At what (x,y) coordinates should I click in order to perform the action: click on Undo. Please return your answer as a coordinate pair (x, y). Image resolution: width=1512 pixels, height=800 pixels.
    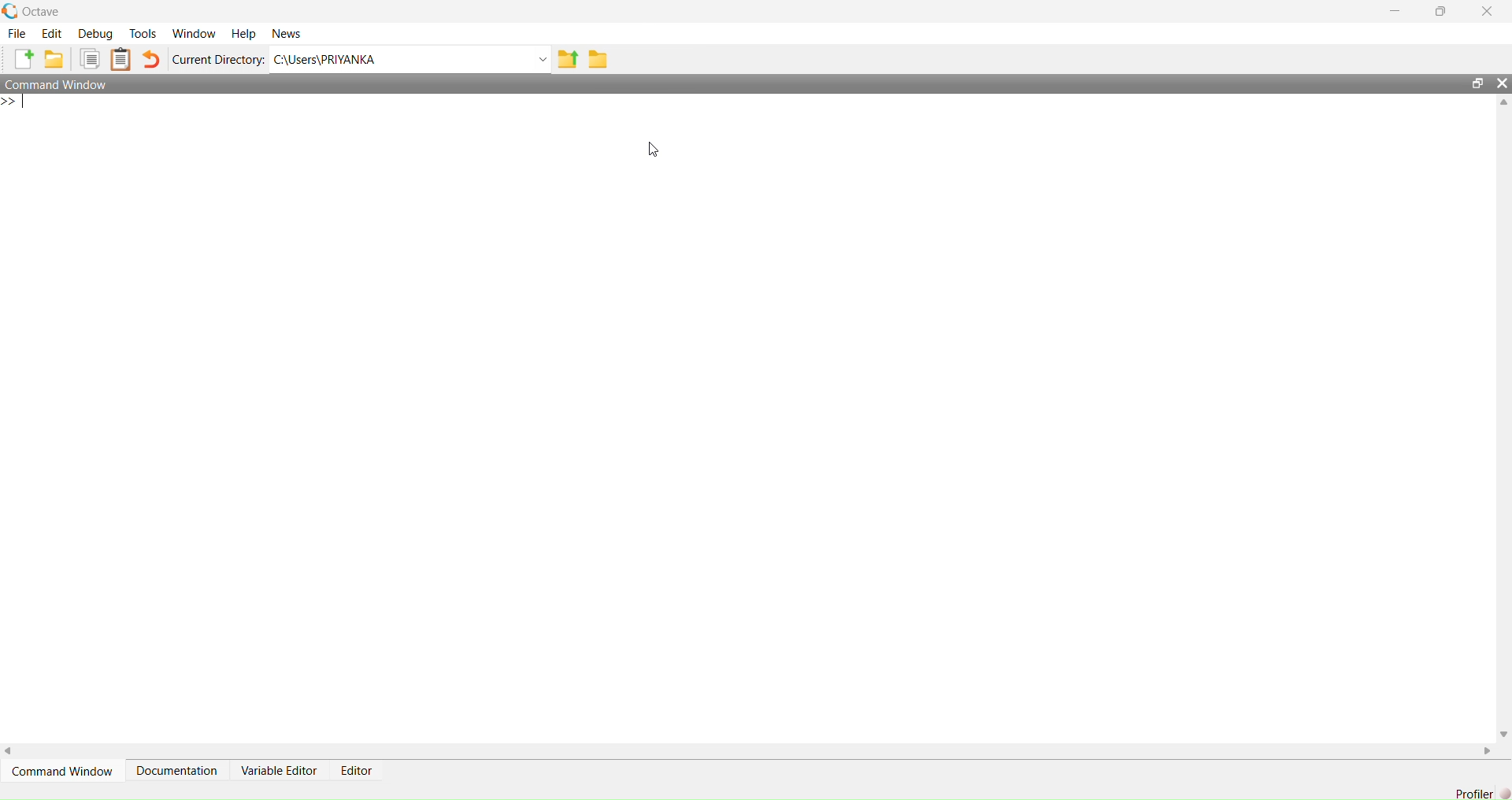
    Looking at the image, I should click on (151, 59).